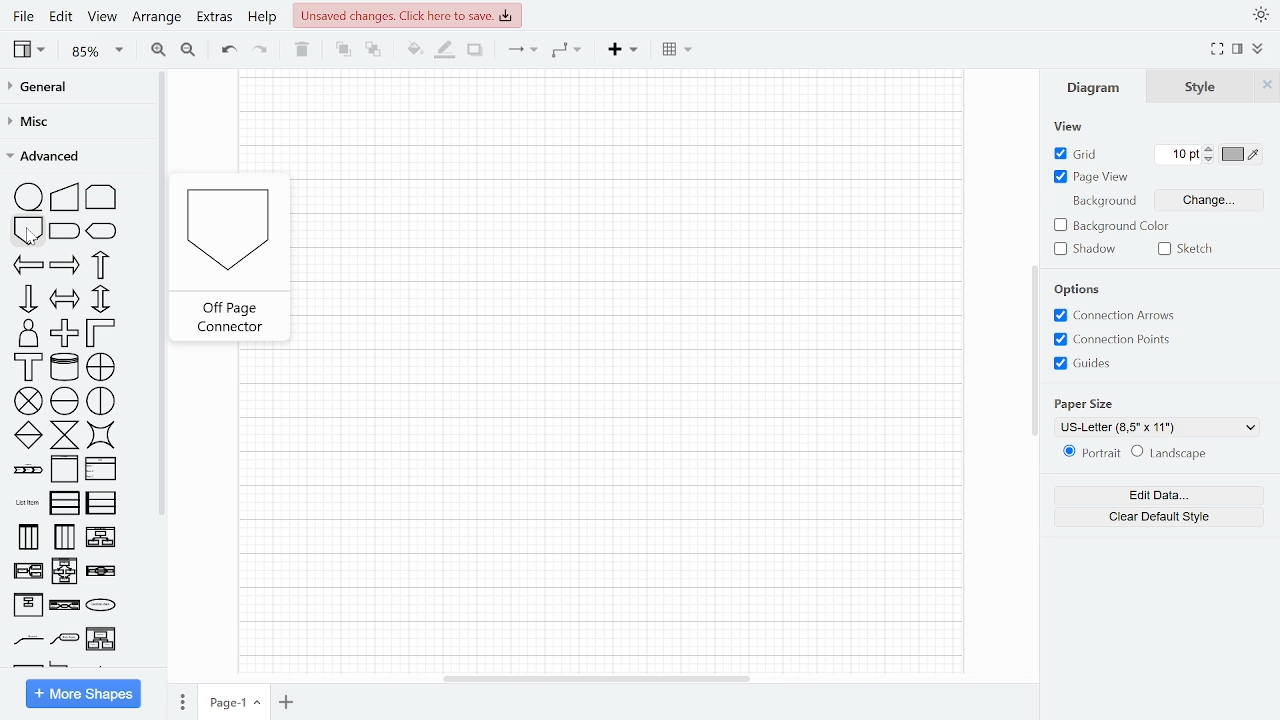 The width and height of the screenshot is (1280, 720). What do you see at coordinates (102, 232) in the screenshot?
I see `display` at bounding box center [102, 232].